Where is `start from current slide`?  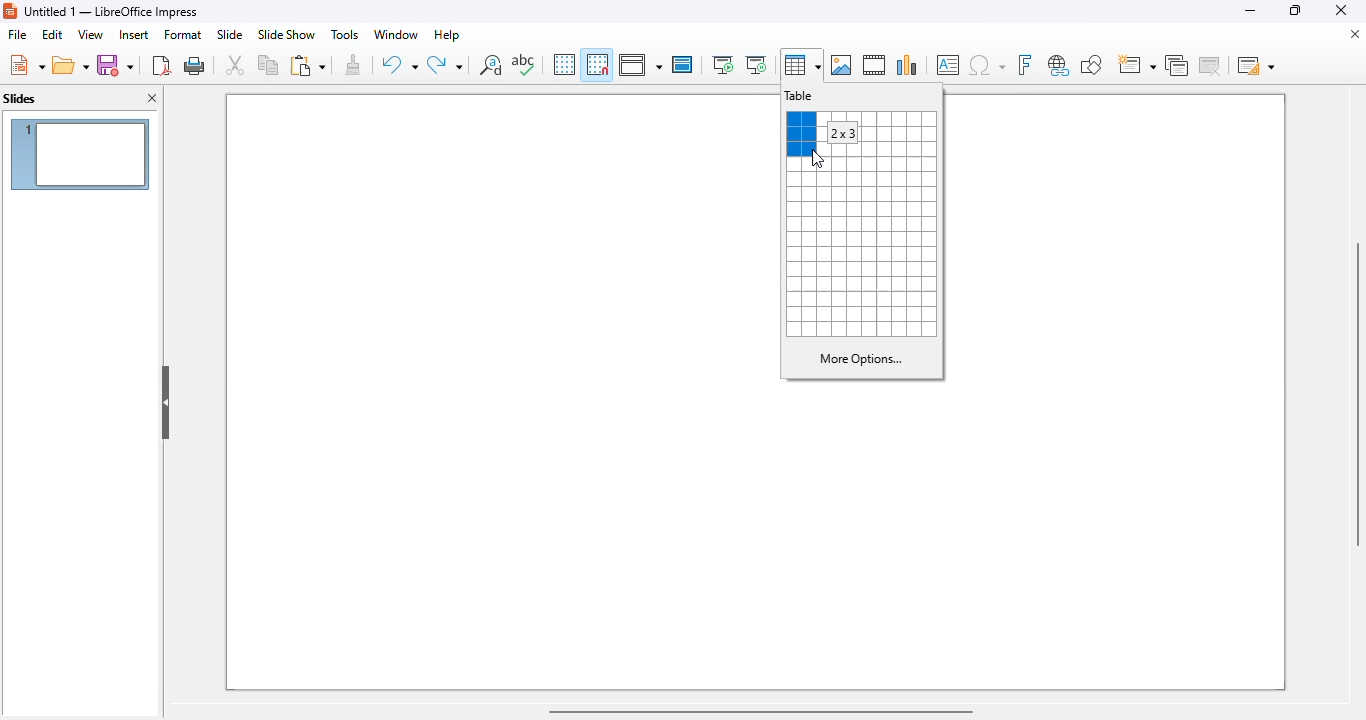 start from current slide is located at coordinates (756, 65).